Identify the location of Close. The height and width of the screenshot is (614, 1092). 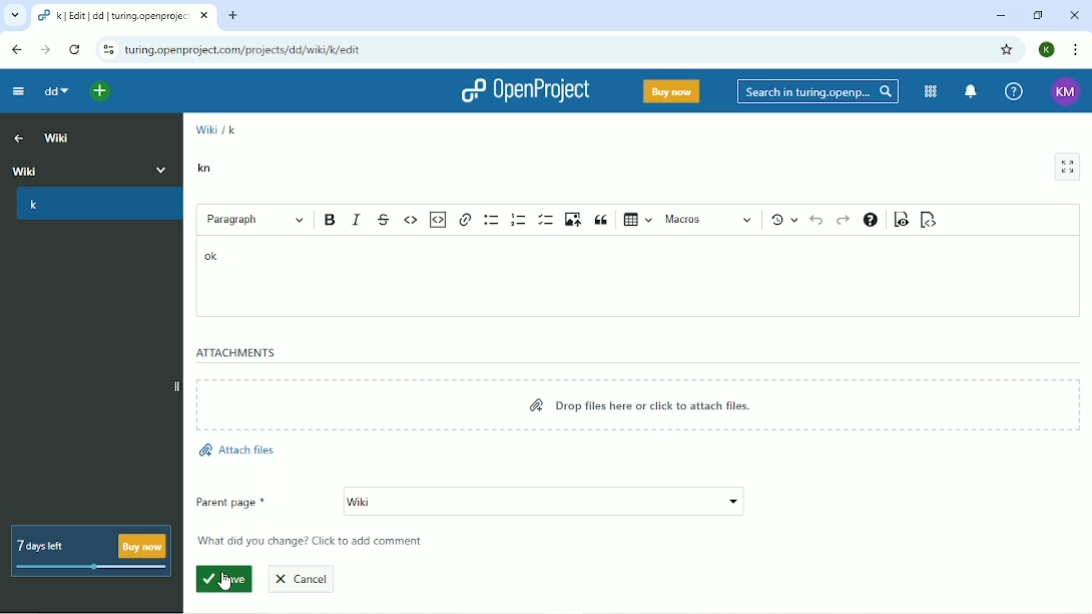
(1073, 15).